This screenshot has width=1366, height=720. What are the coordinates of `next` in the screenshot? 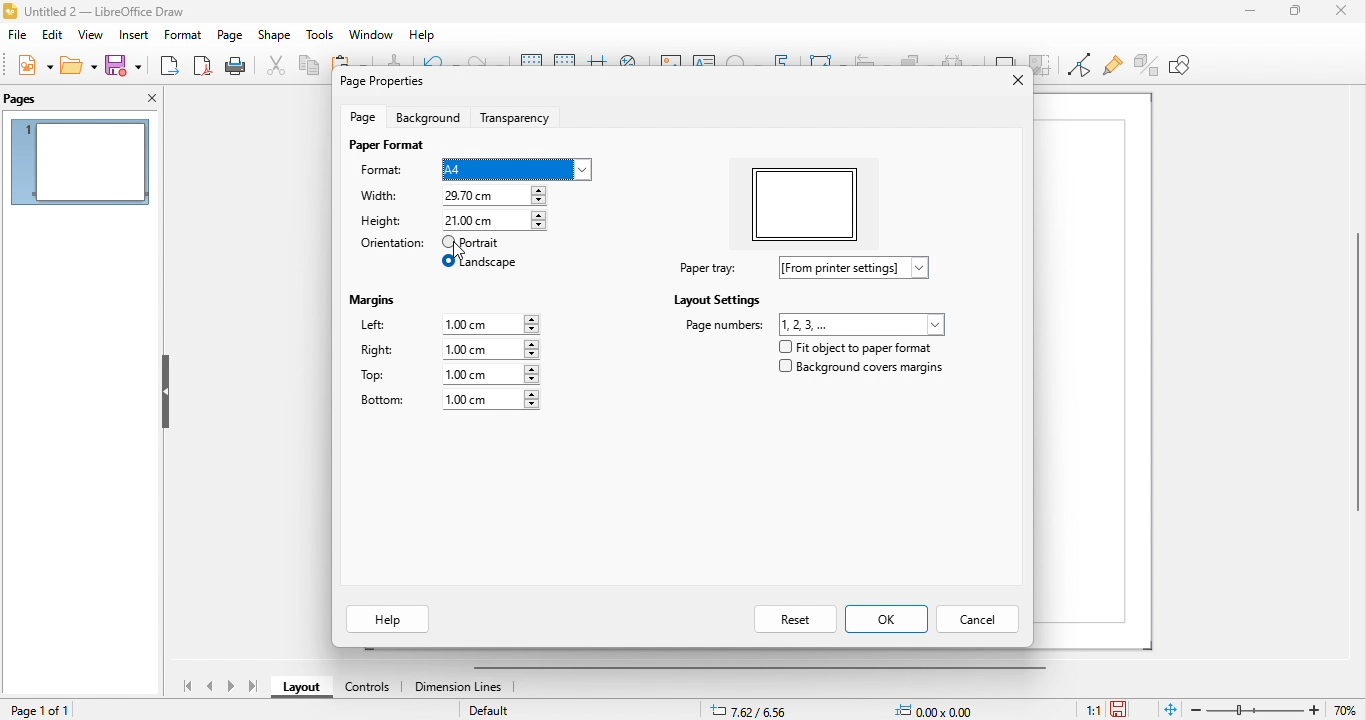 It's located at (229, 687).